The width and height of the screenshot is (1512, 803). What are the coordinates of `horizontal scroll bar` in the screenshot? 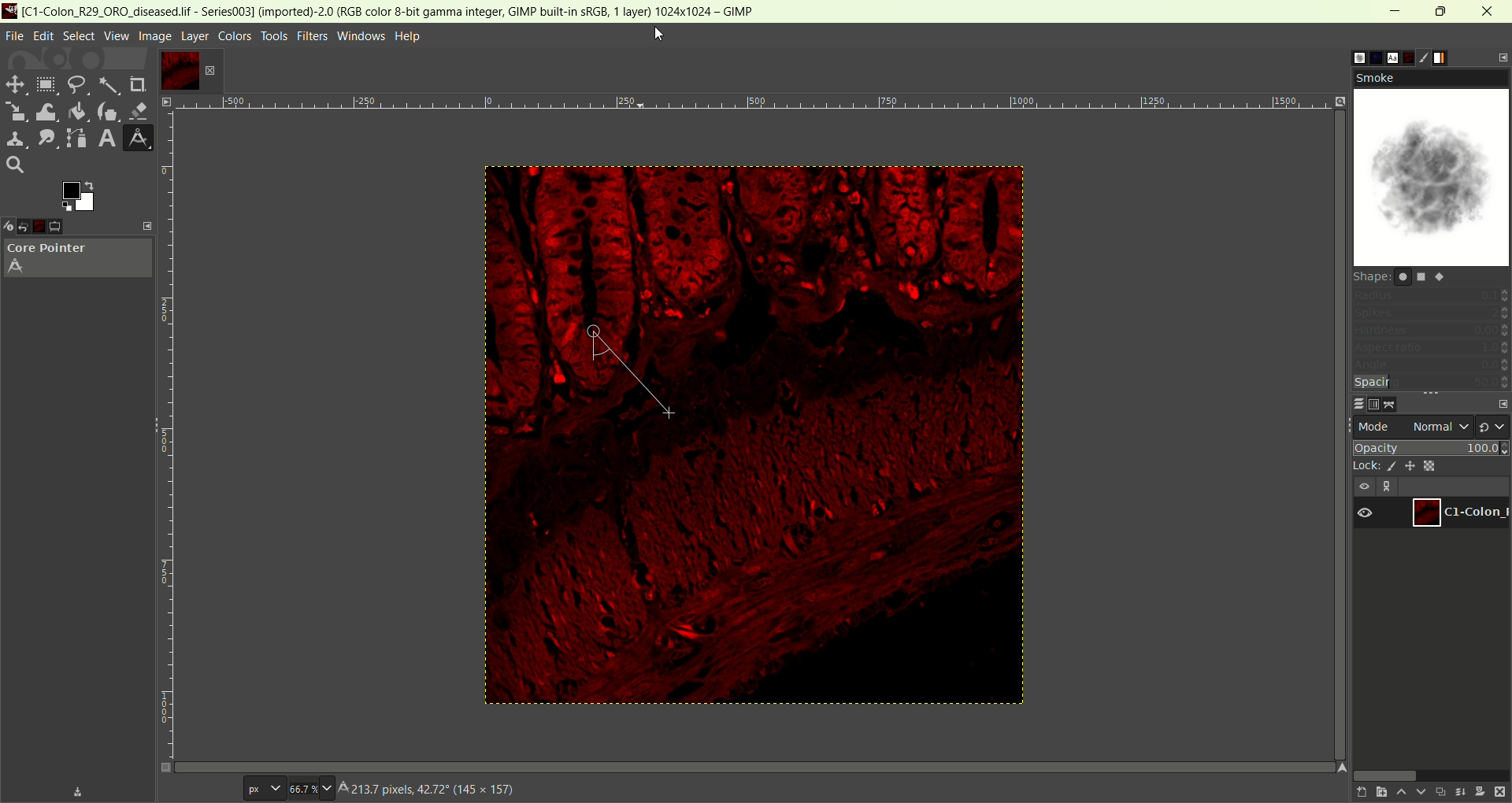 It's located at (1429, 774).